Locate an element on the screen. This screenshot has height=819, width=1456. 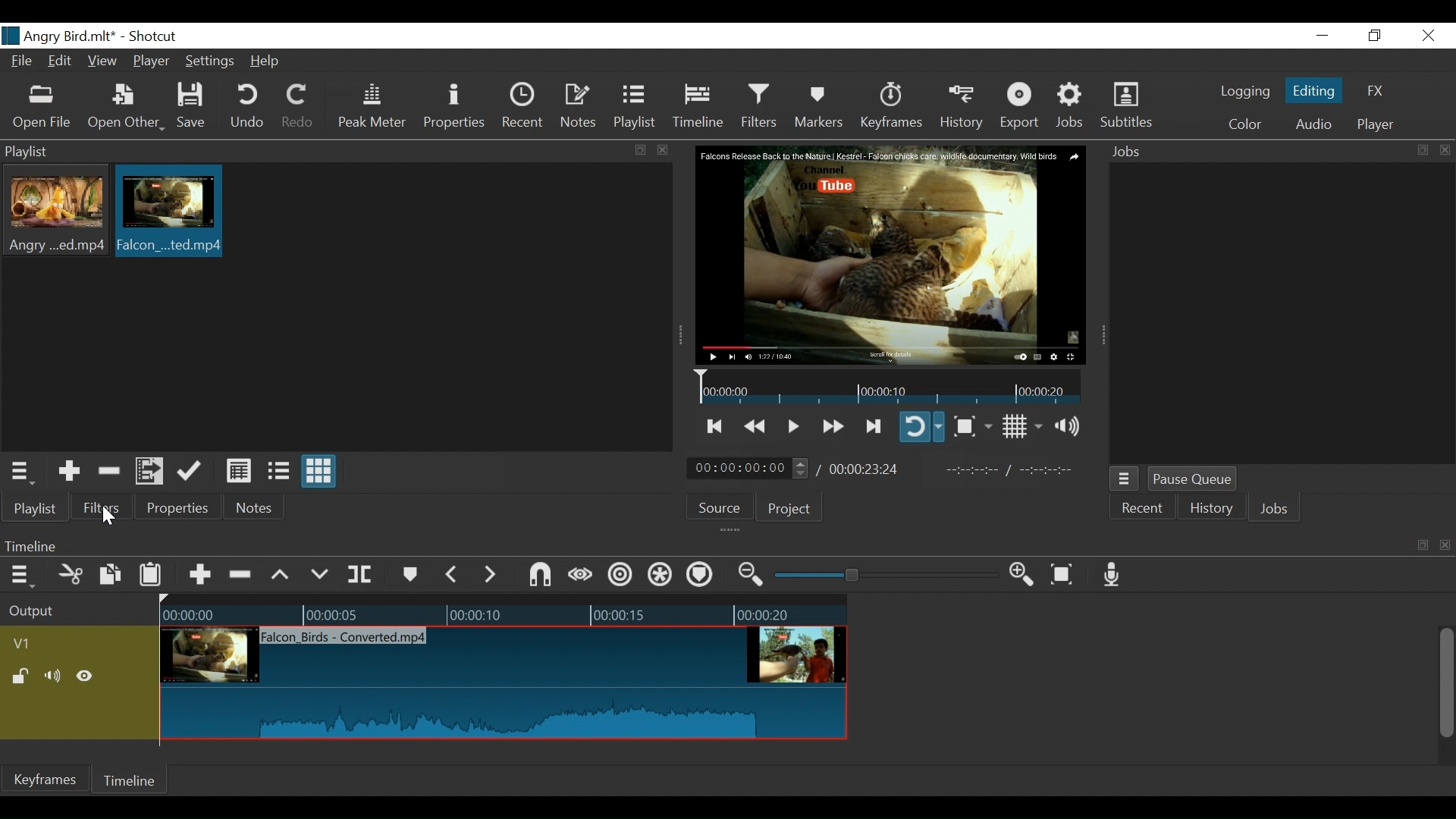
Editing is located at coordinates (1316, 89).